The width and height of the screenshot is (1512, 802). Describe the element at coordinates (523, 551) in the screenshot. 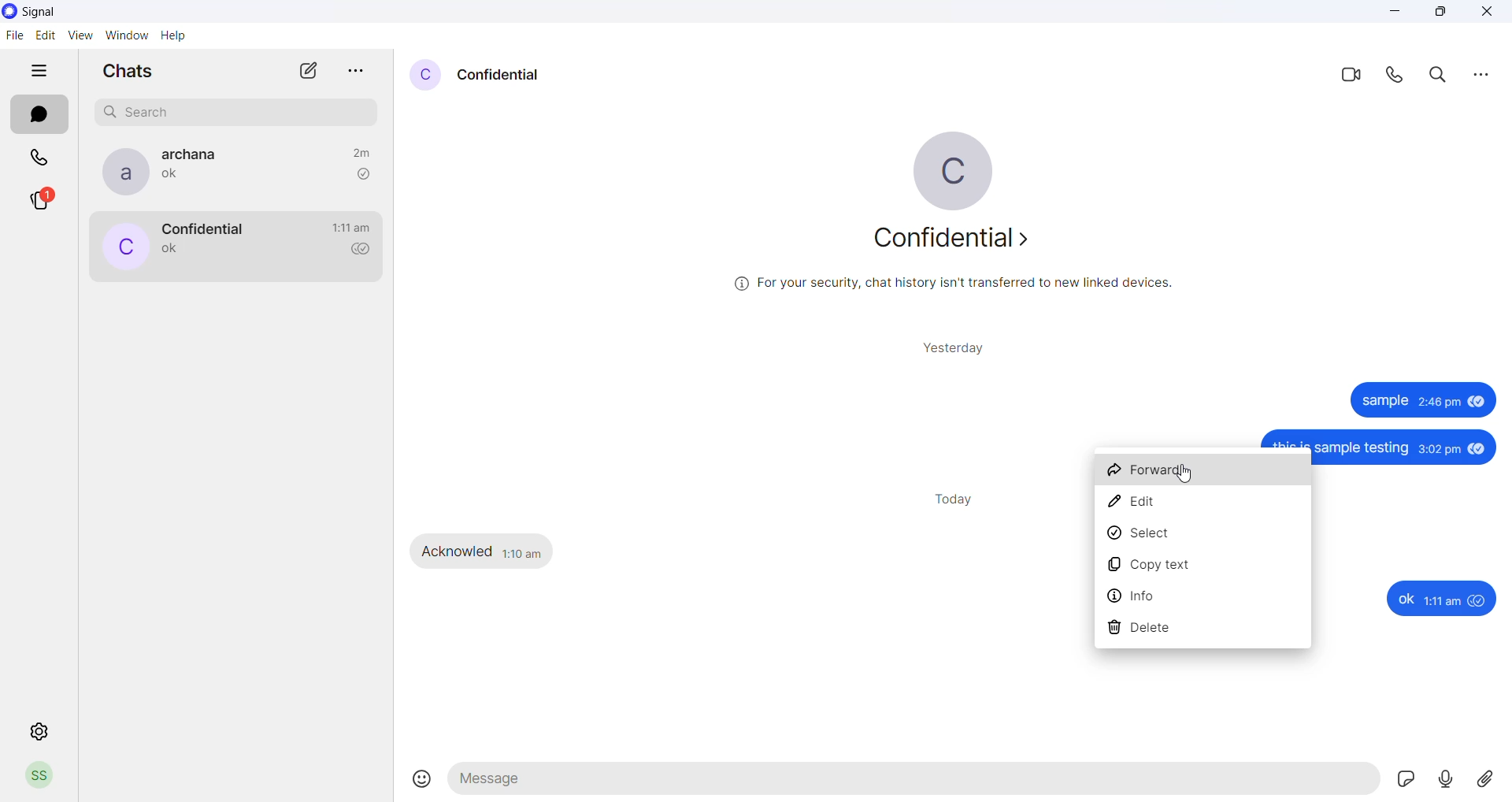

I see `1:10 am` at that location.